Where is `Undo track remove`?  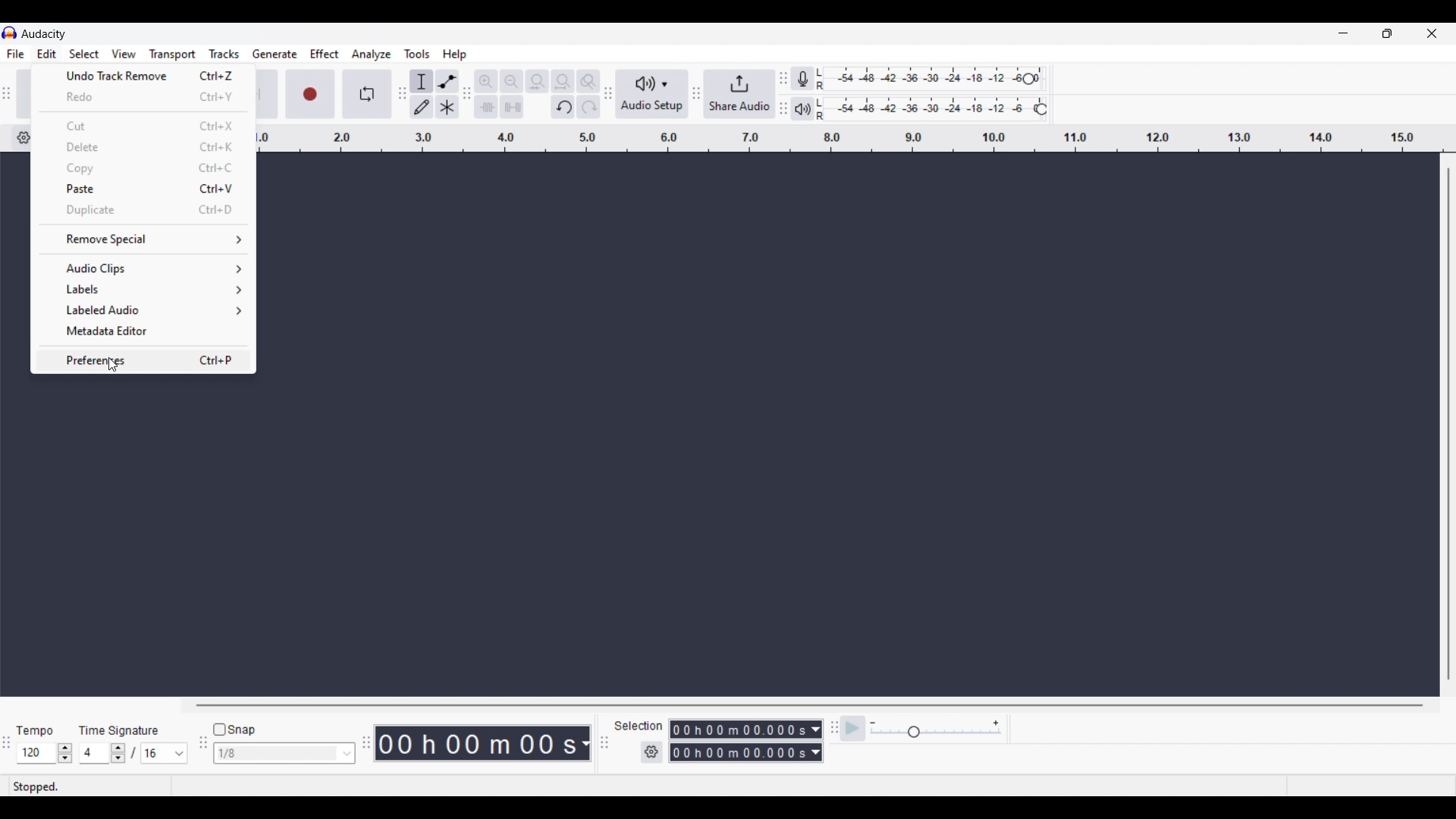
Undo track remove is located at coordinates (144, 76).